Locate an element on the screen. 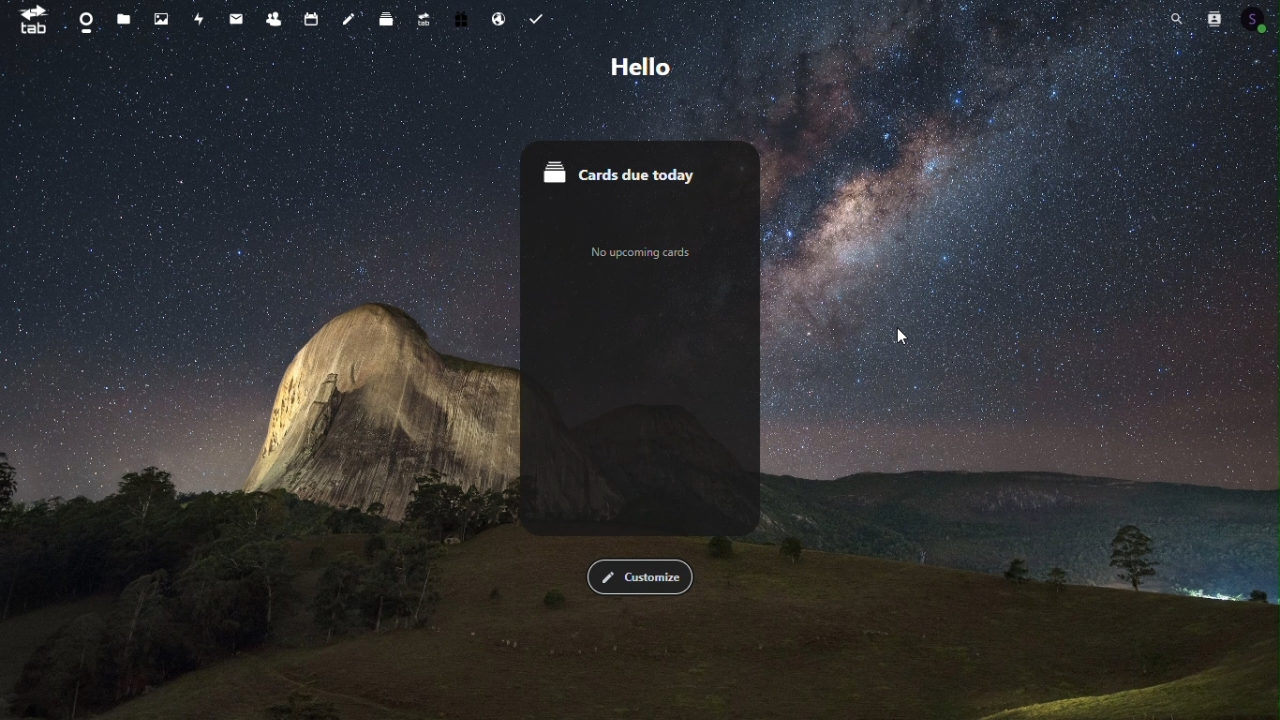 The height and width of the screenshot is (720, 1280). Calendar is located at coordinates (315, 19).